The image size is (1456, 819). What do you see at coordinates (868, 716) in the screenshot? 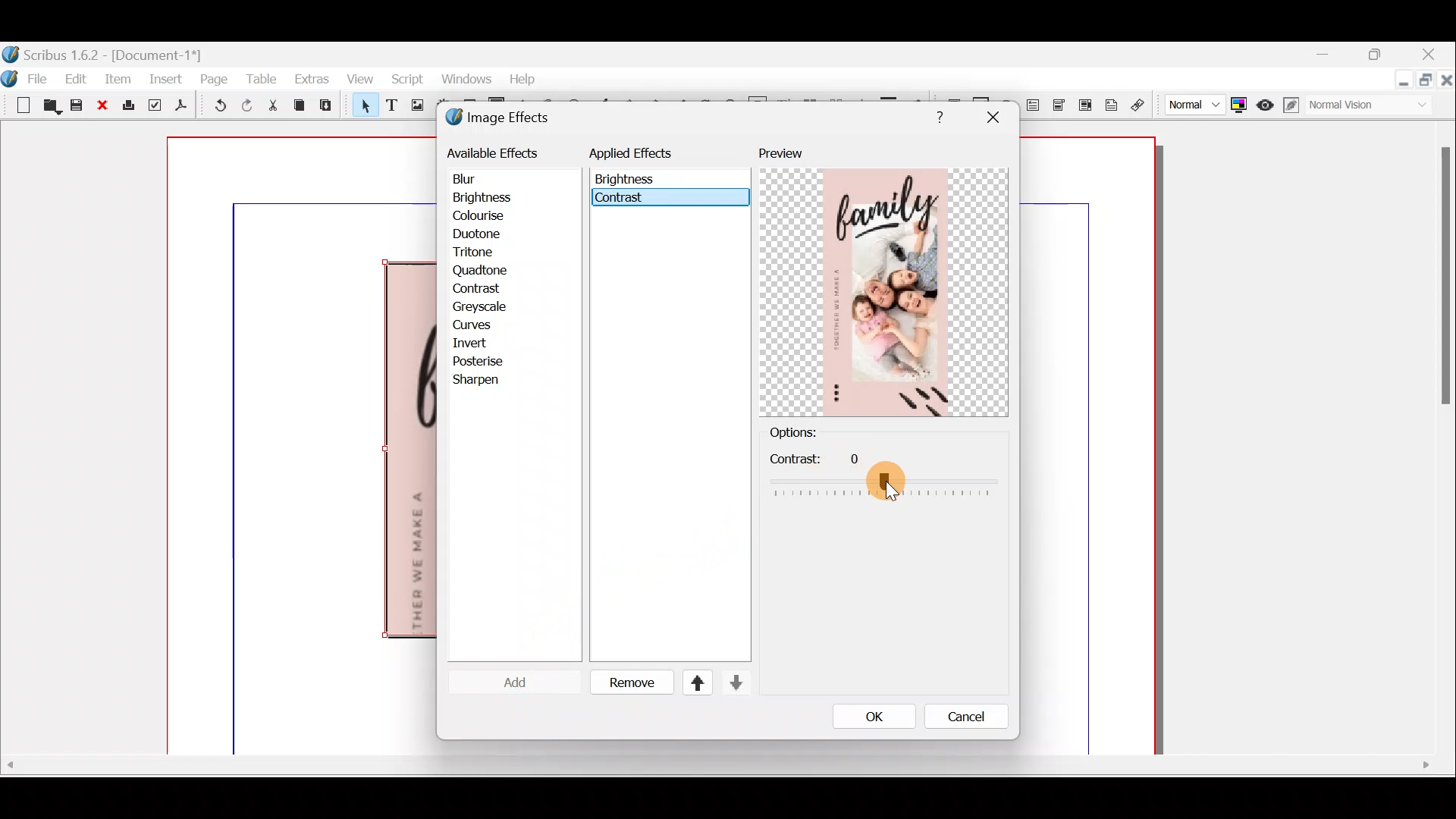
I see `OK` at bounding box center [868, 716].